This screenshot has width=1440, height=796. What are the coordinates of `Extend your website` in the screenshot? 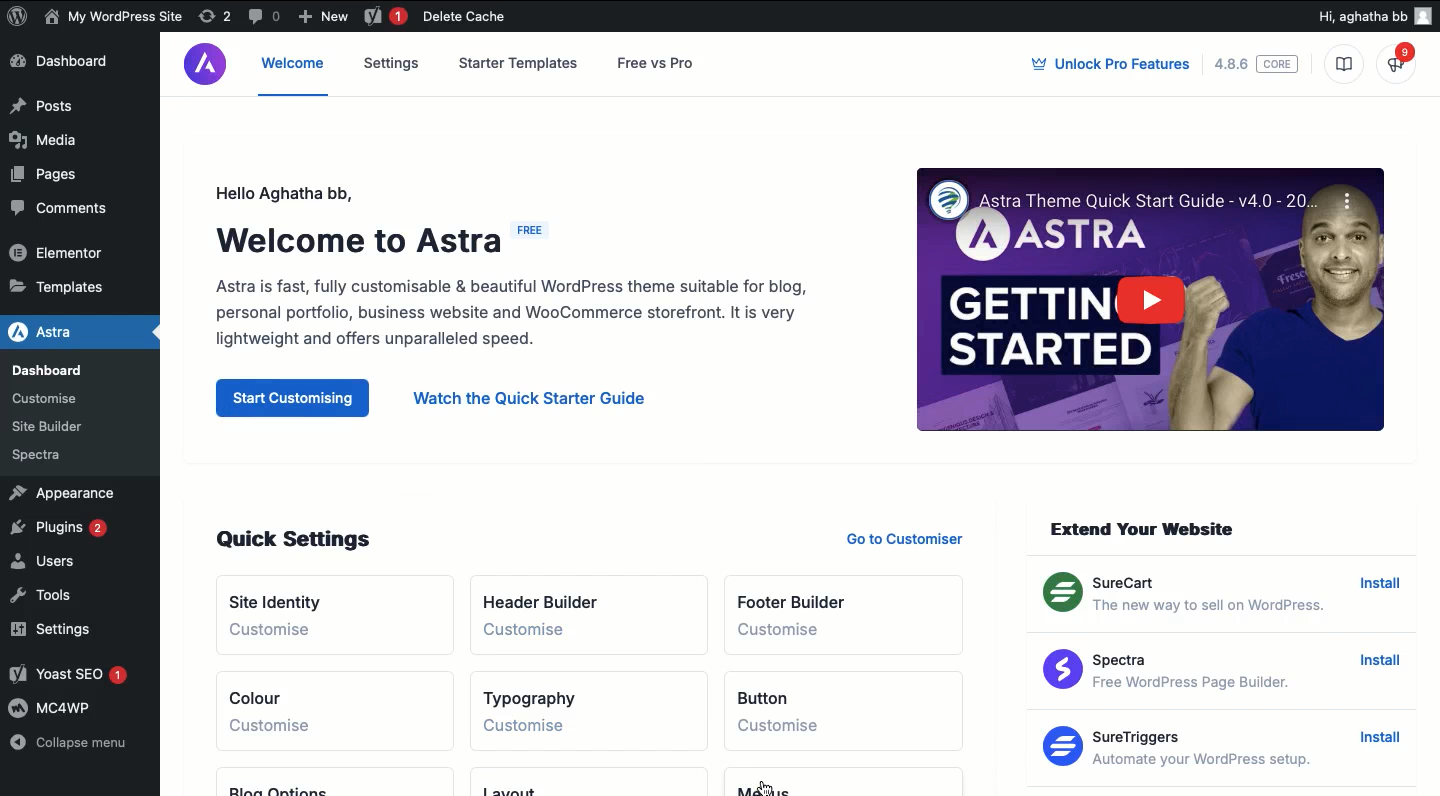 It's located at (1146, 529).